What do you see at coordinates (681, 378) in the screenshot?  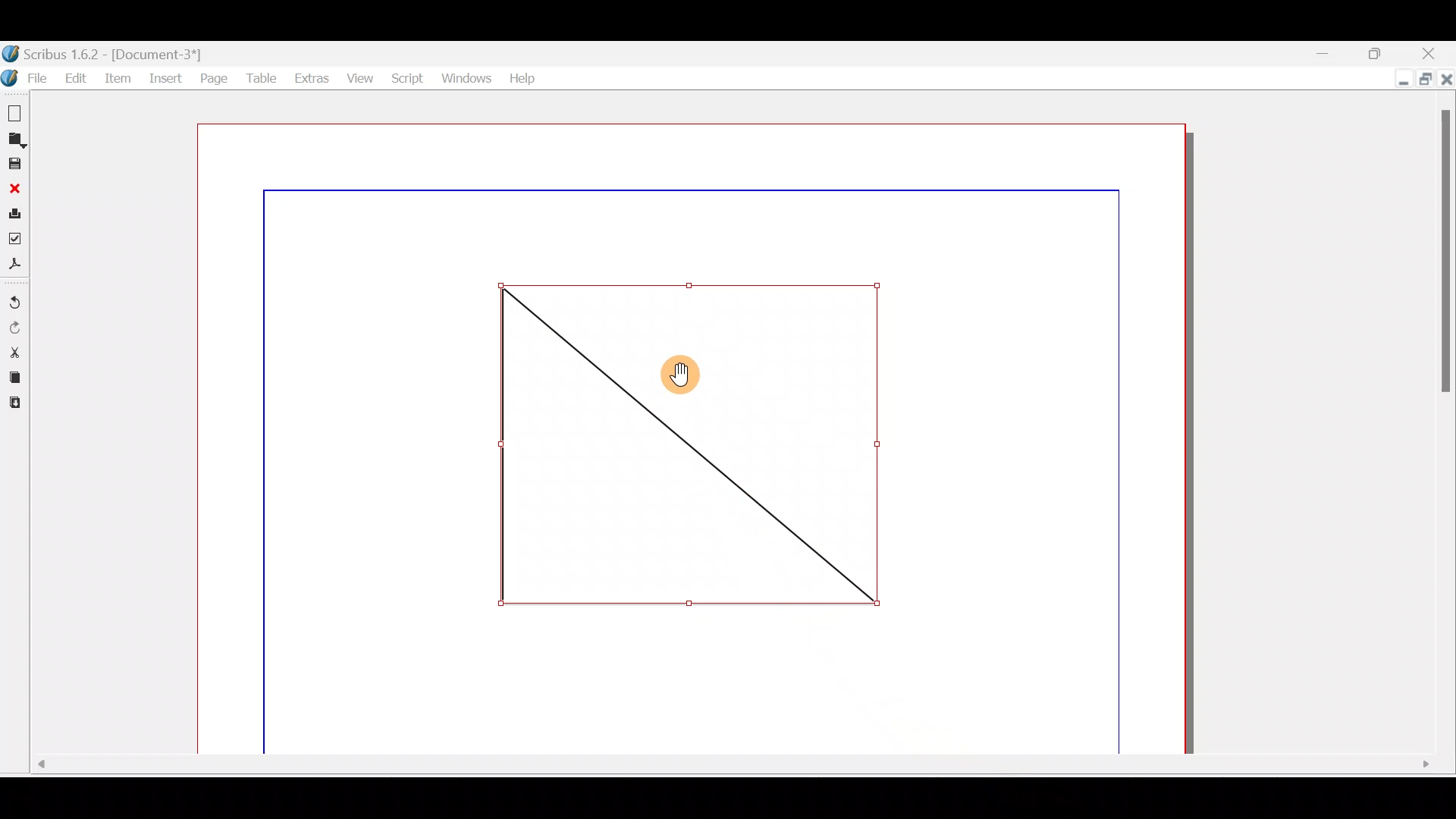 I see `cursor` at bounding box center [681, 378].